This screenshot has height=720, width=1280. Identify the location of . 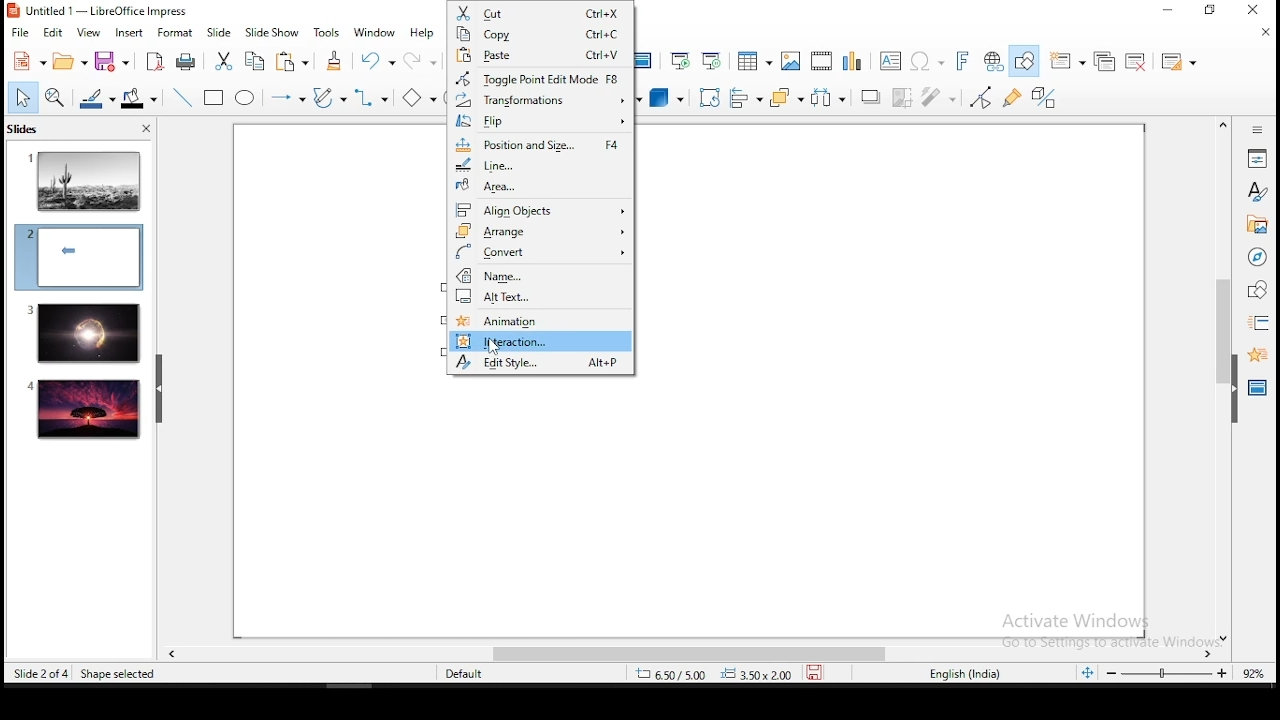
(1255, 129).